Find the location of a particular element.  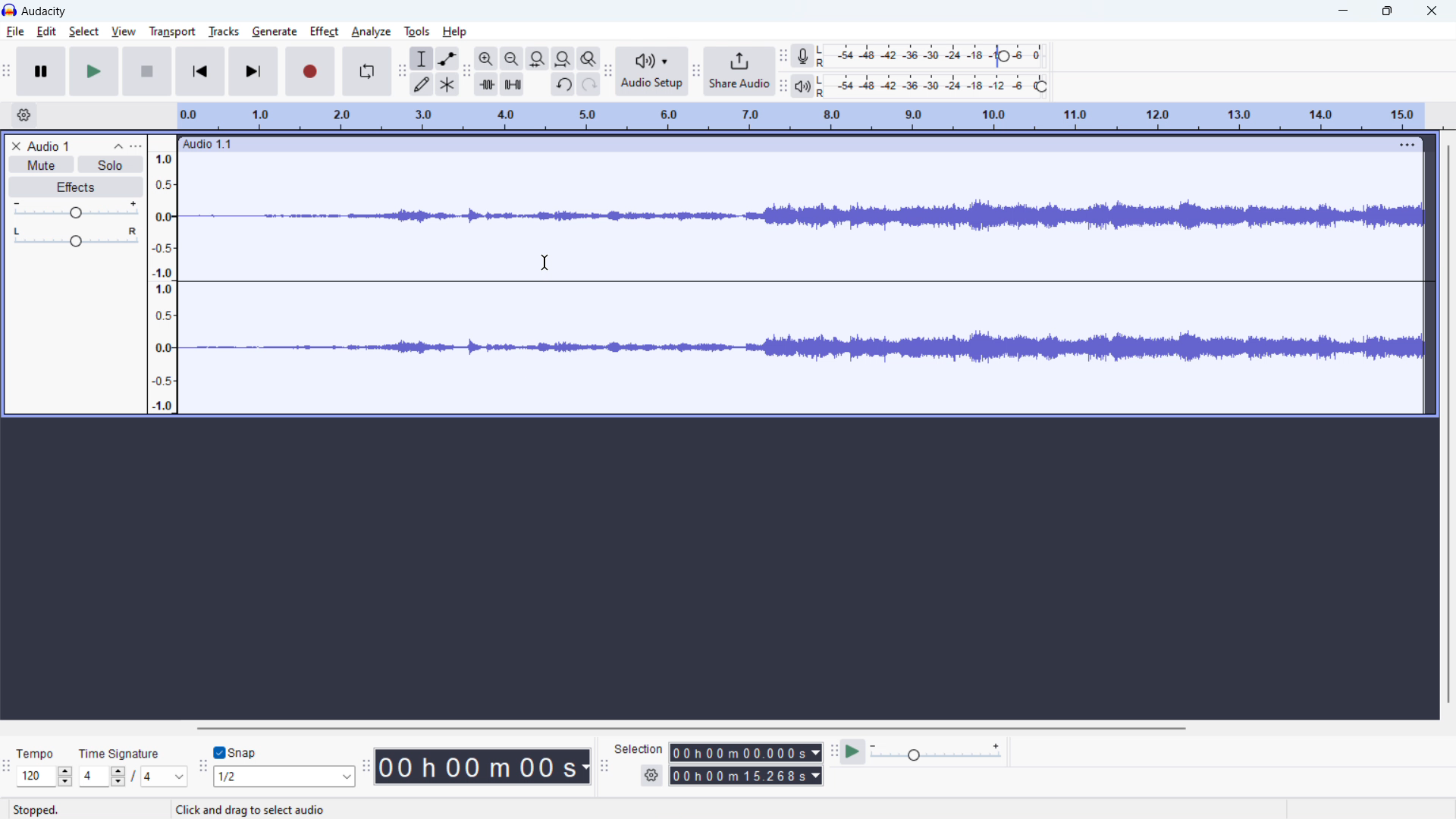

audio setup toolbar is located at coordinates (607, 71).